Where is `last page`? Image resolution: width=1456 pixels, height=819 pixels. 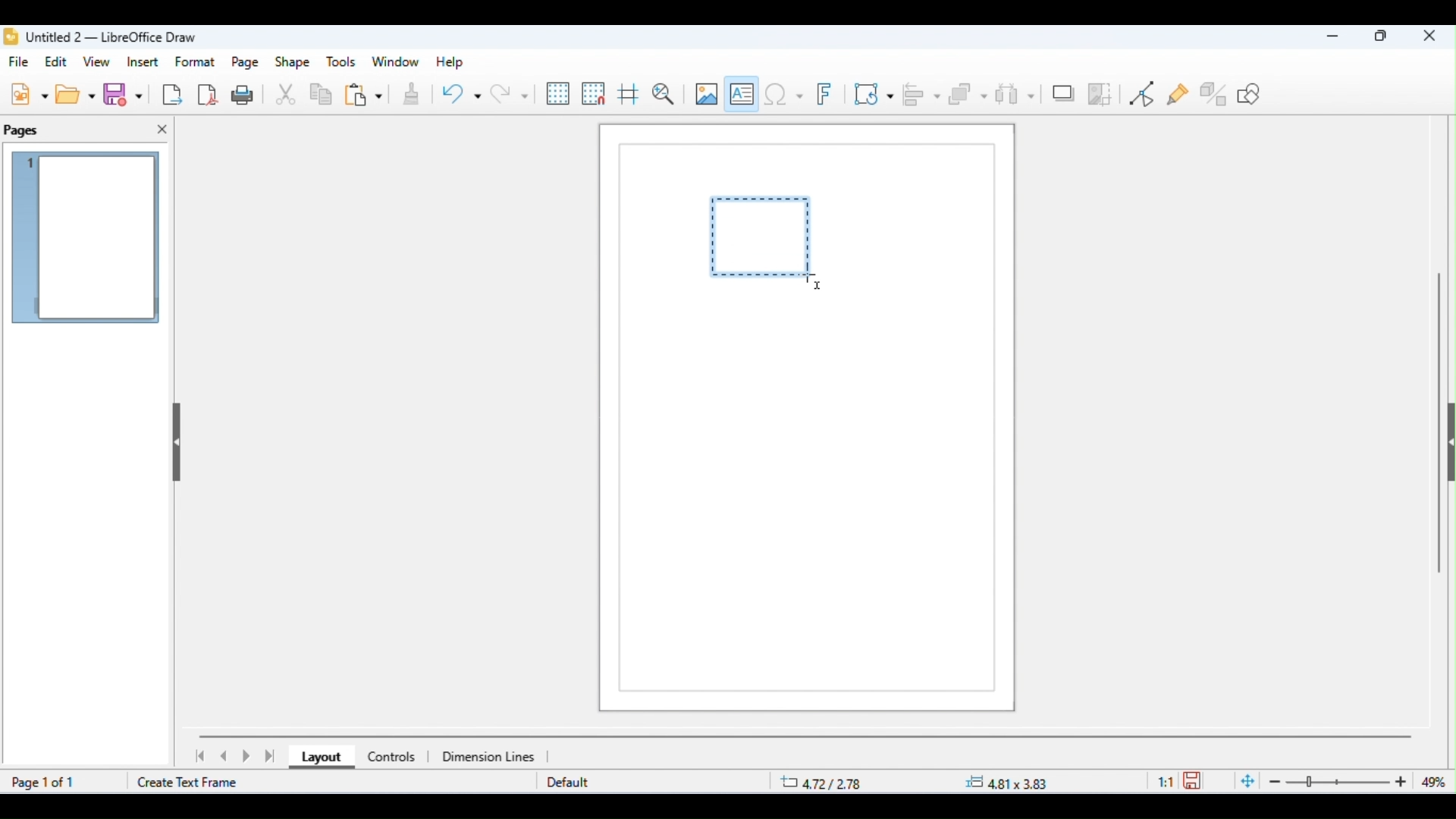
last page is located at coordinates (271, 756).